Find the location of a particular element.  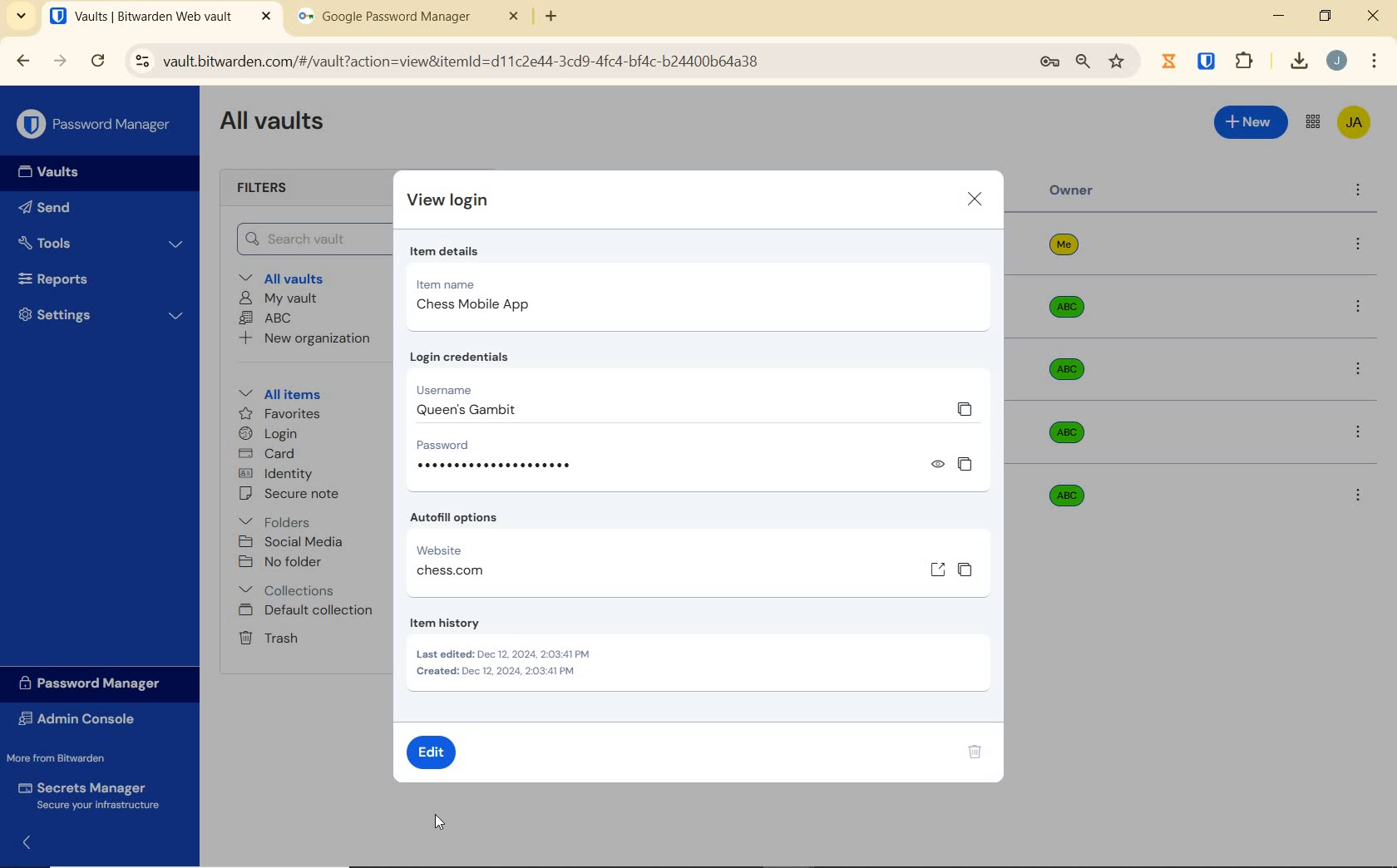

abc is located at coordinates (1079, 501).